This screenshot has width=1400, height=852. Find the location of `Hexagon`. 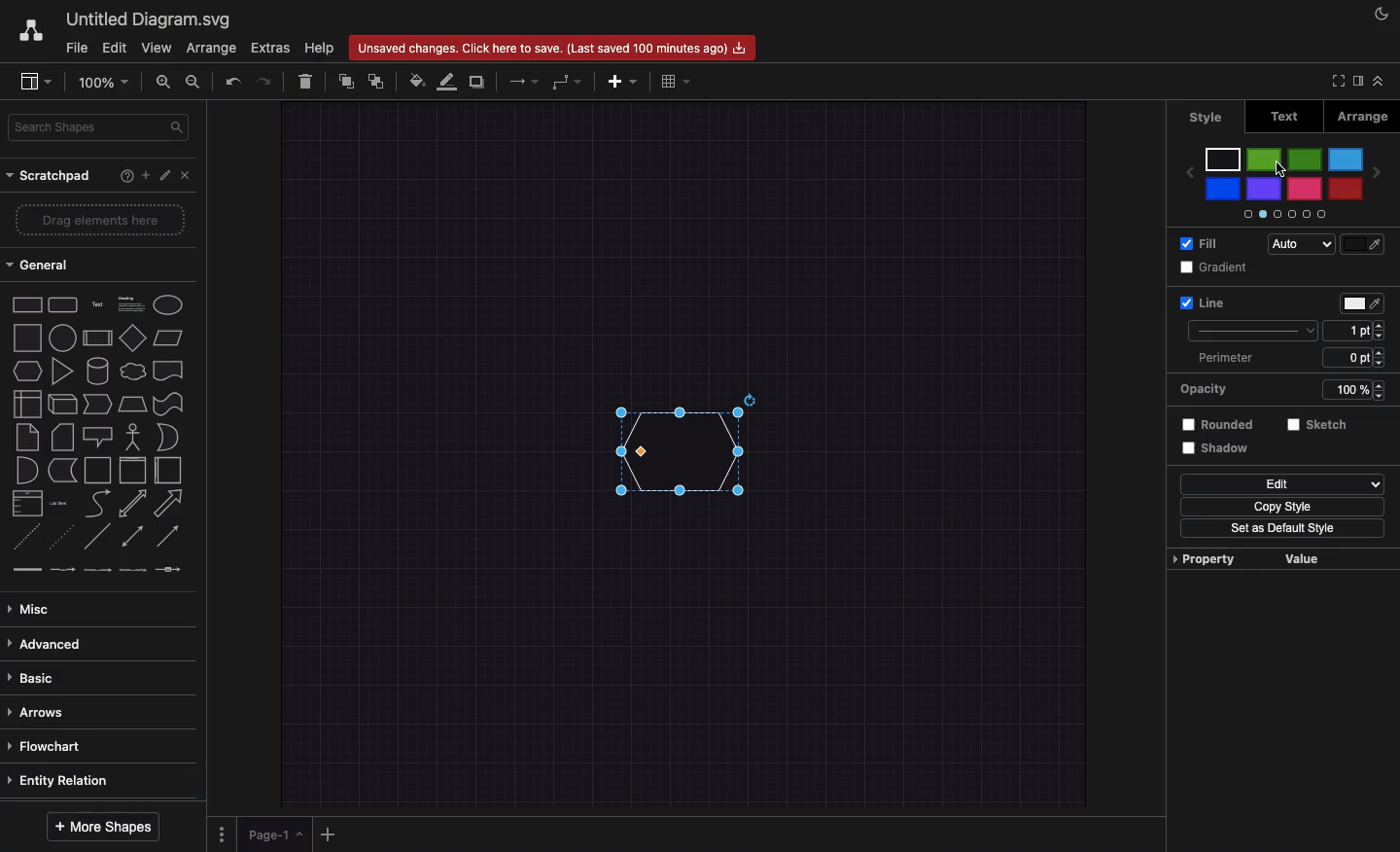

Hexagon is located at coordinates (686, 453).